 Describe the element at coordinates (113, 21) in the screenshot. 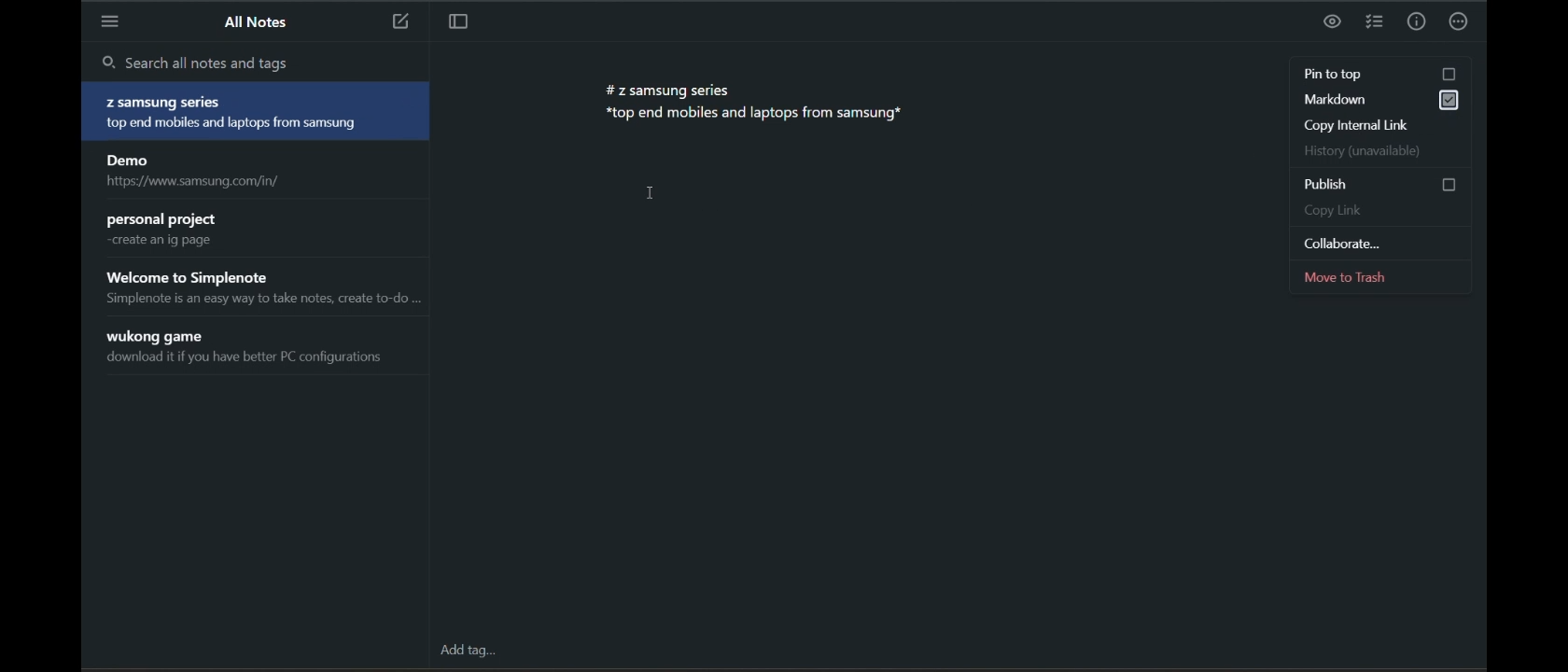

I see `menu` at that location.